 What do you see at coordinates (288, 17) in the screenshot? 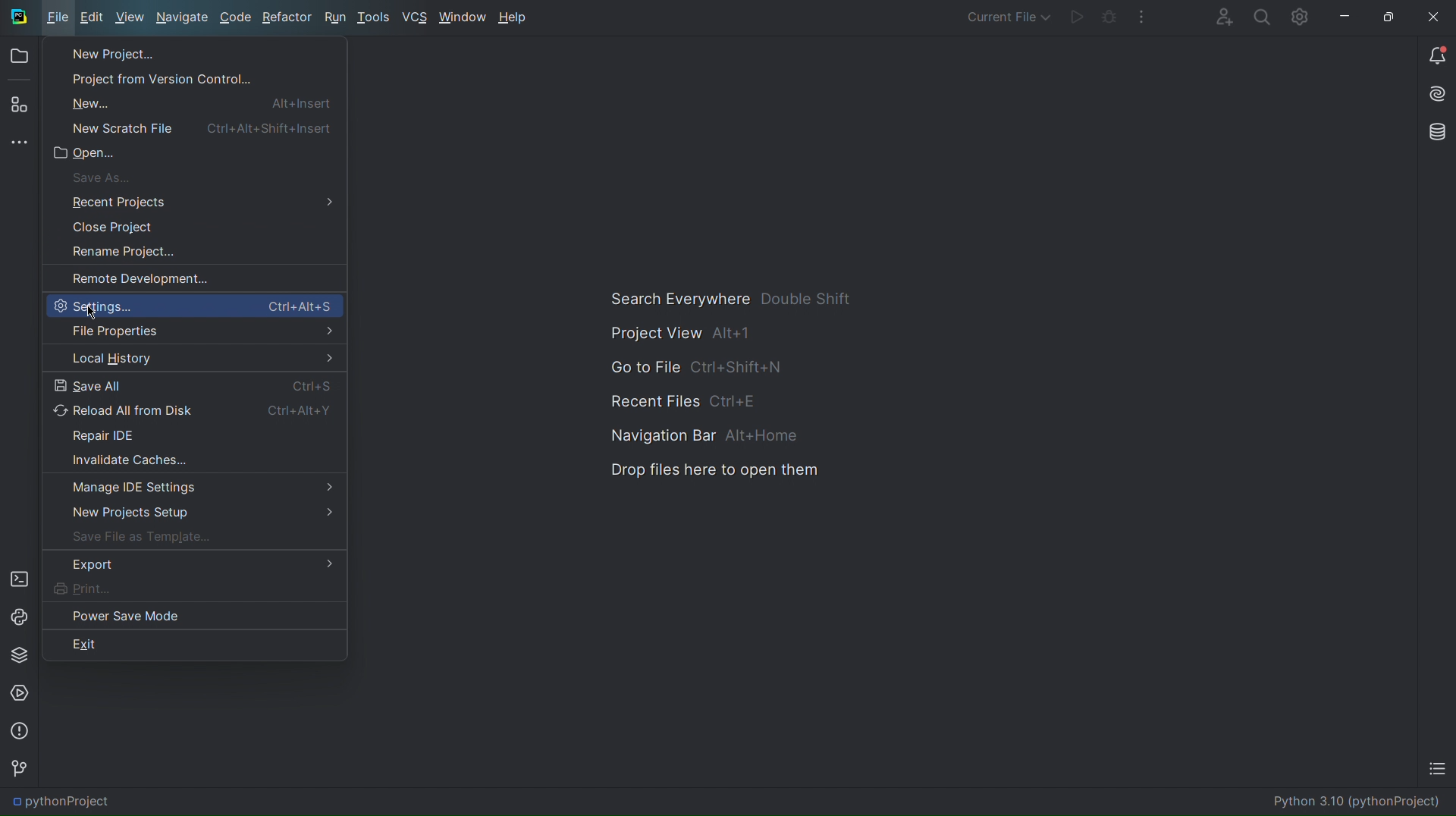
I see `Refactor` at bounding box center [288, 17].